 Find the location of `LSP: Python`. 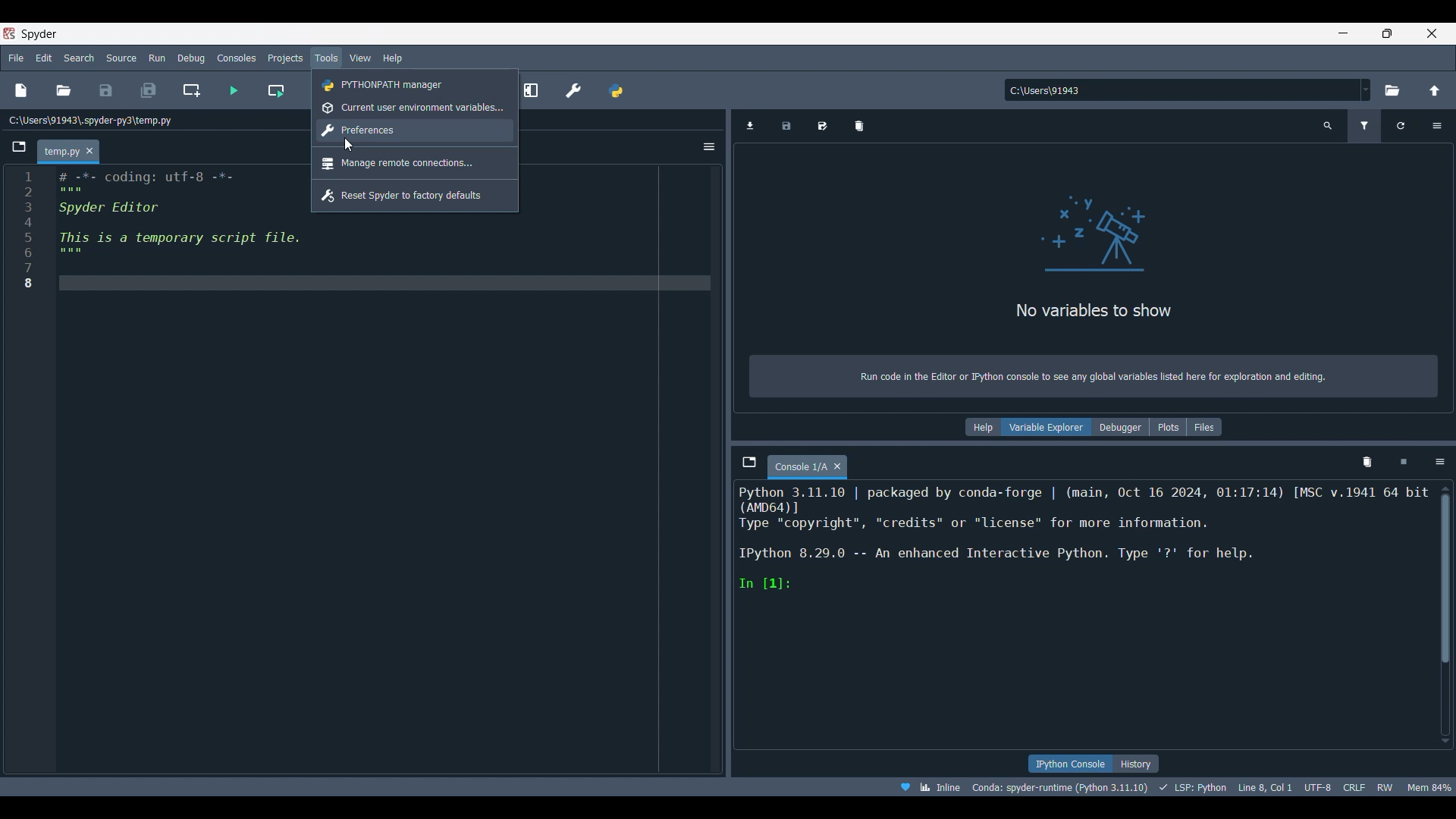

LSP: Python is located at coordinates (1190, 788).